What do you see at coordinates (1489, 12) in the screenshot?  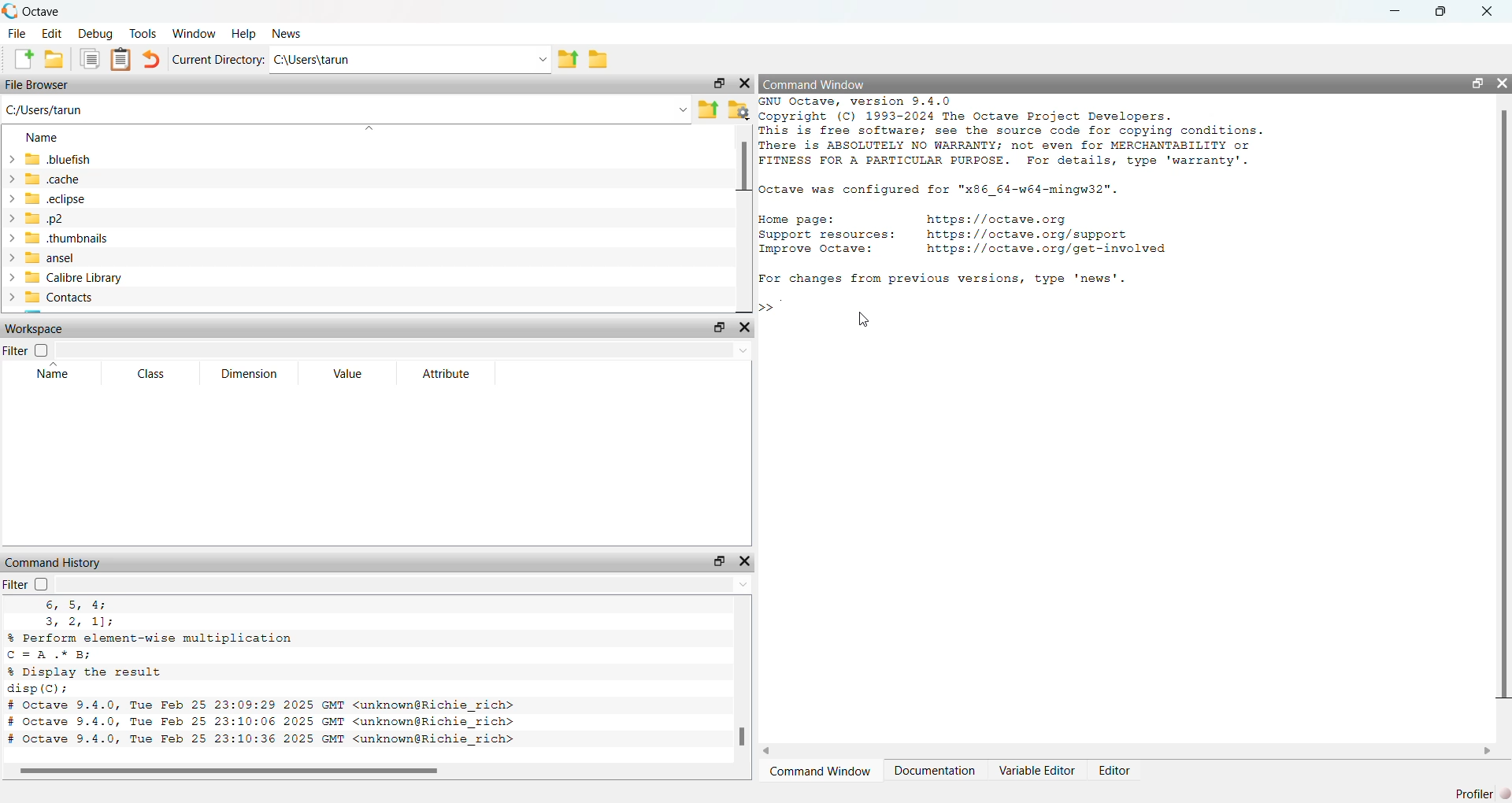 I see `Close` at bounding box center [1489, 12].